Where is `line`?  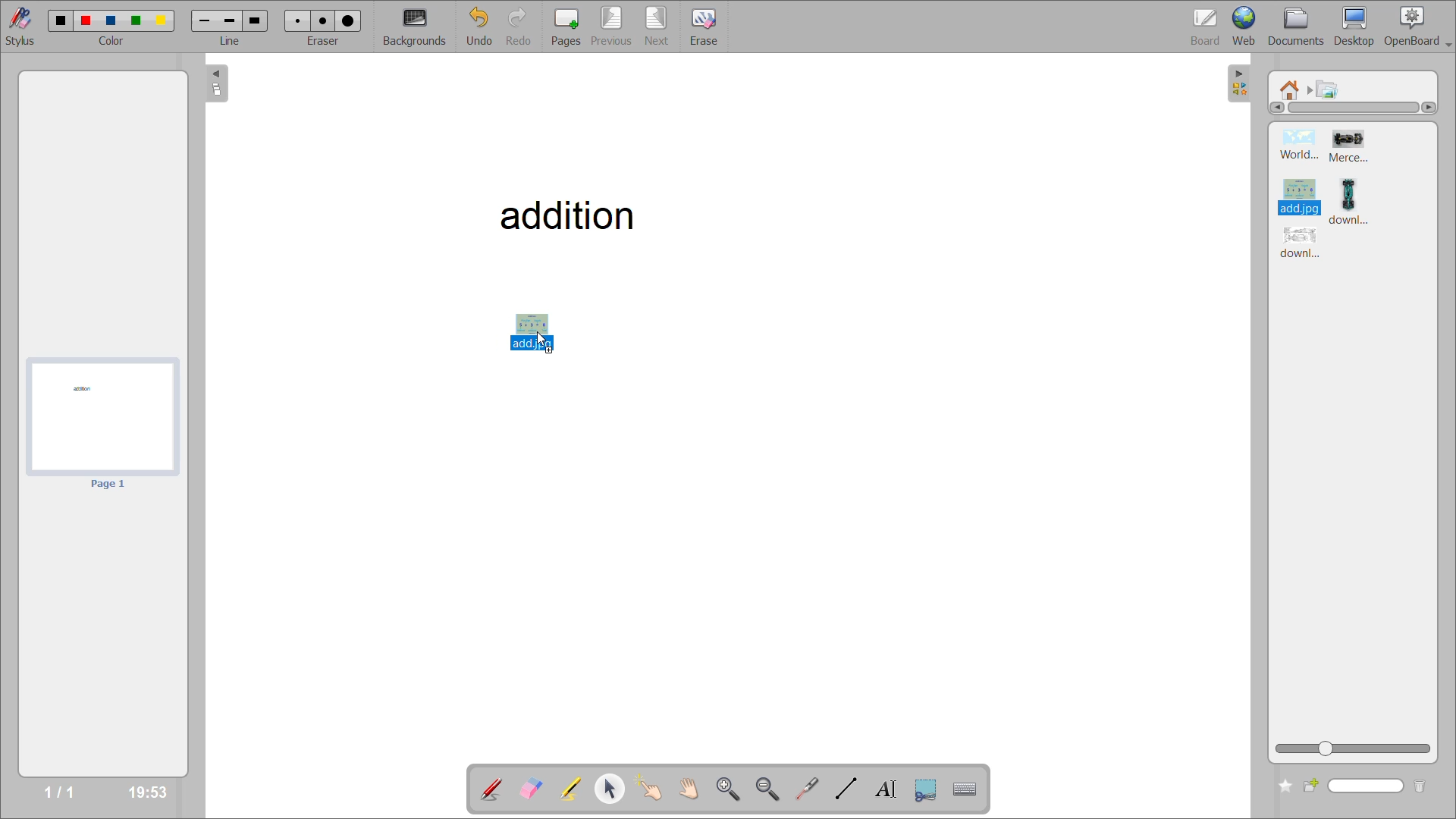 line is located at coordinates (231, 40).